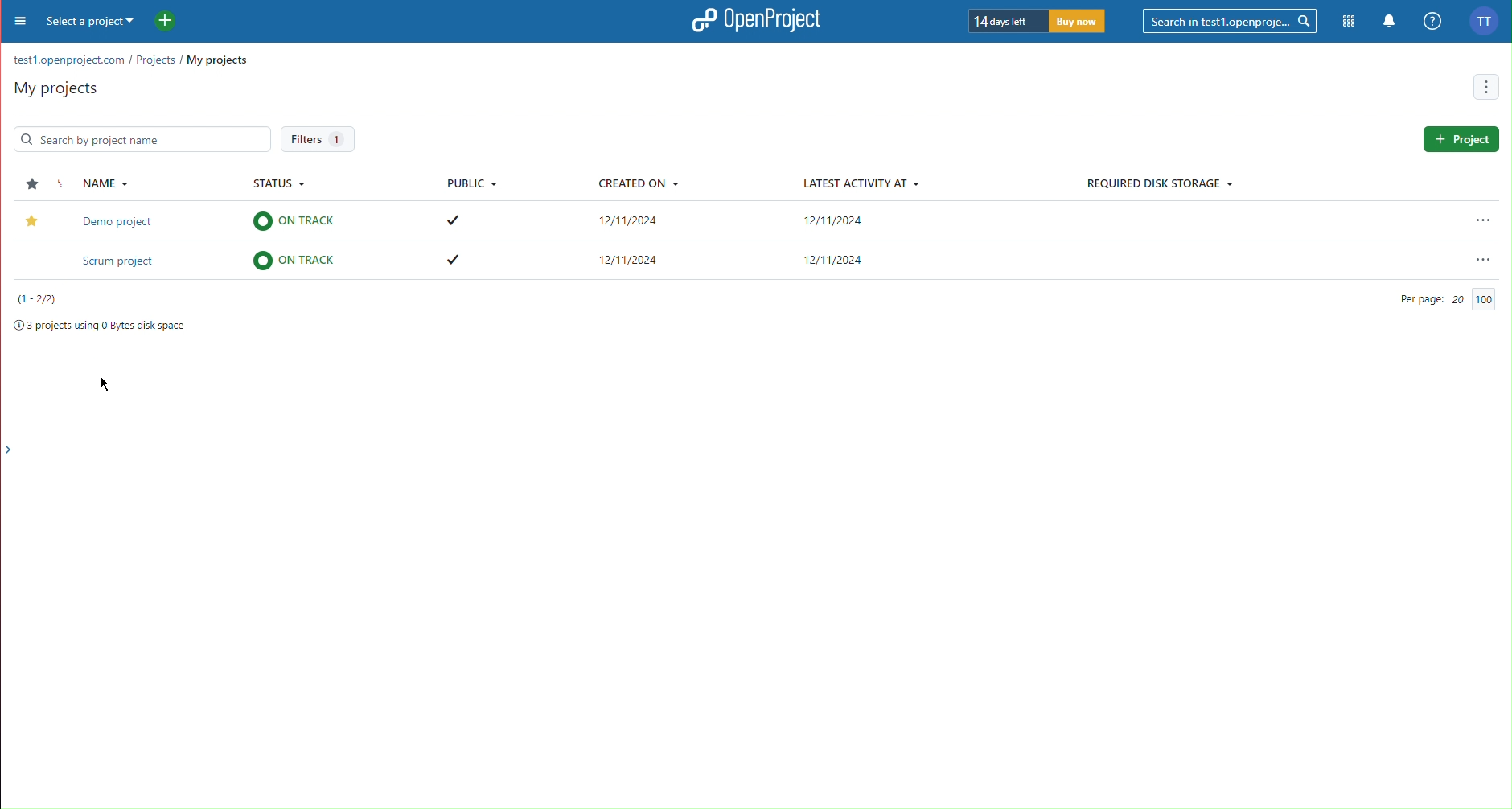  I want to click on Results number, so click(39, 299).